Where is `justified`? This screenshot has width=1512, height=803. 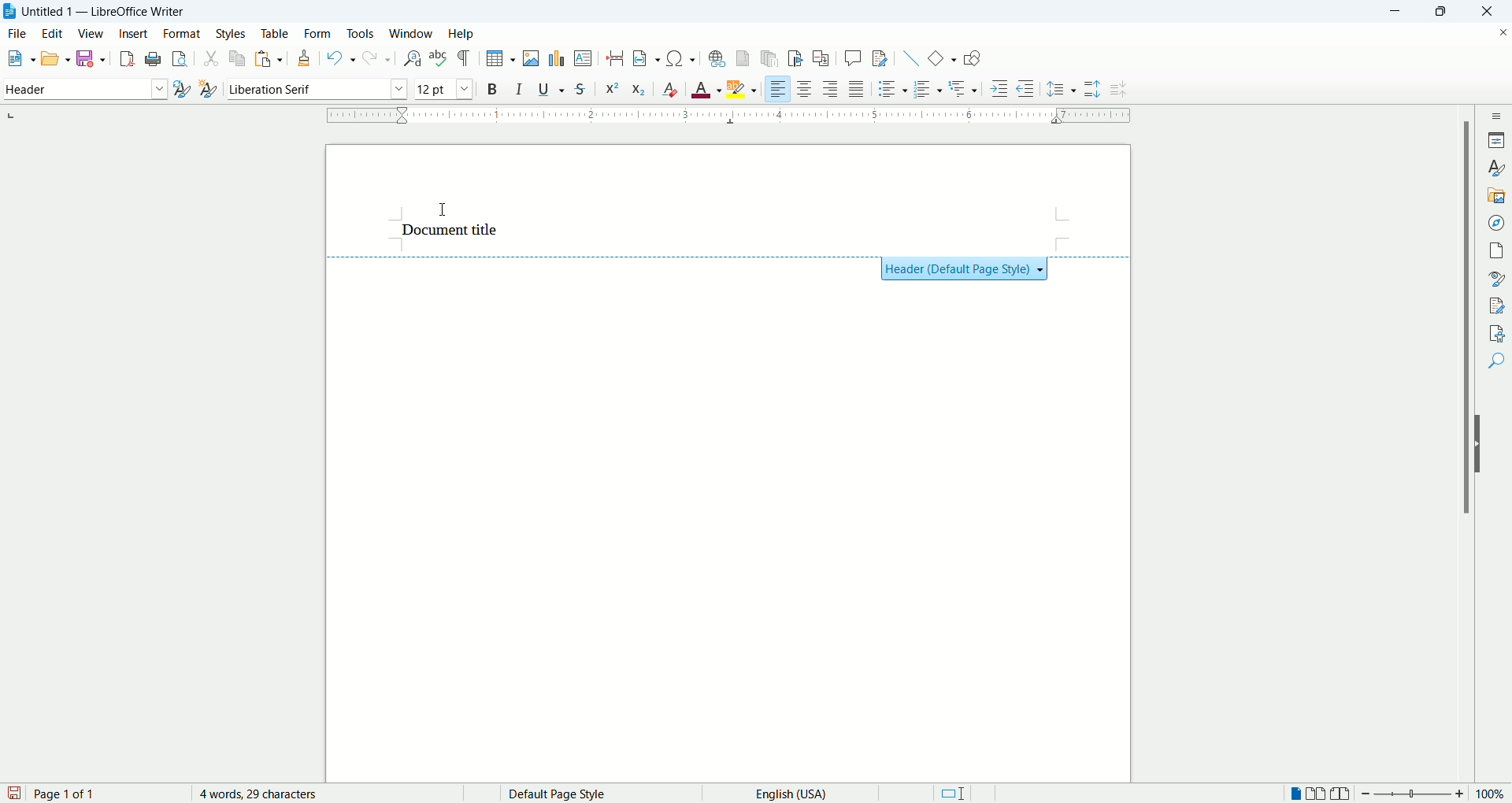
justified is located at coordinates (857, 90).